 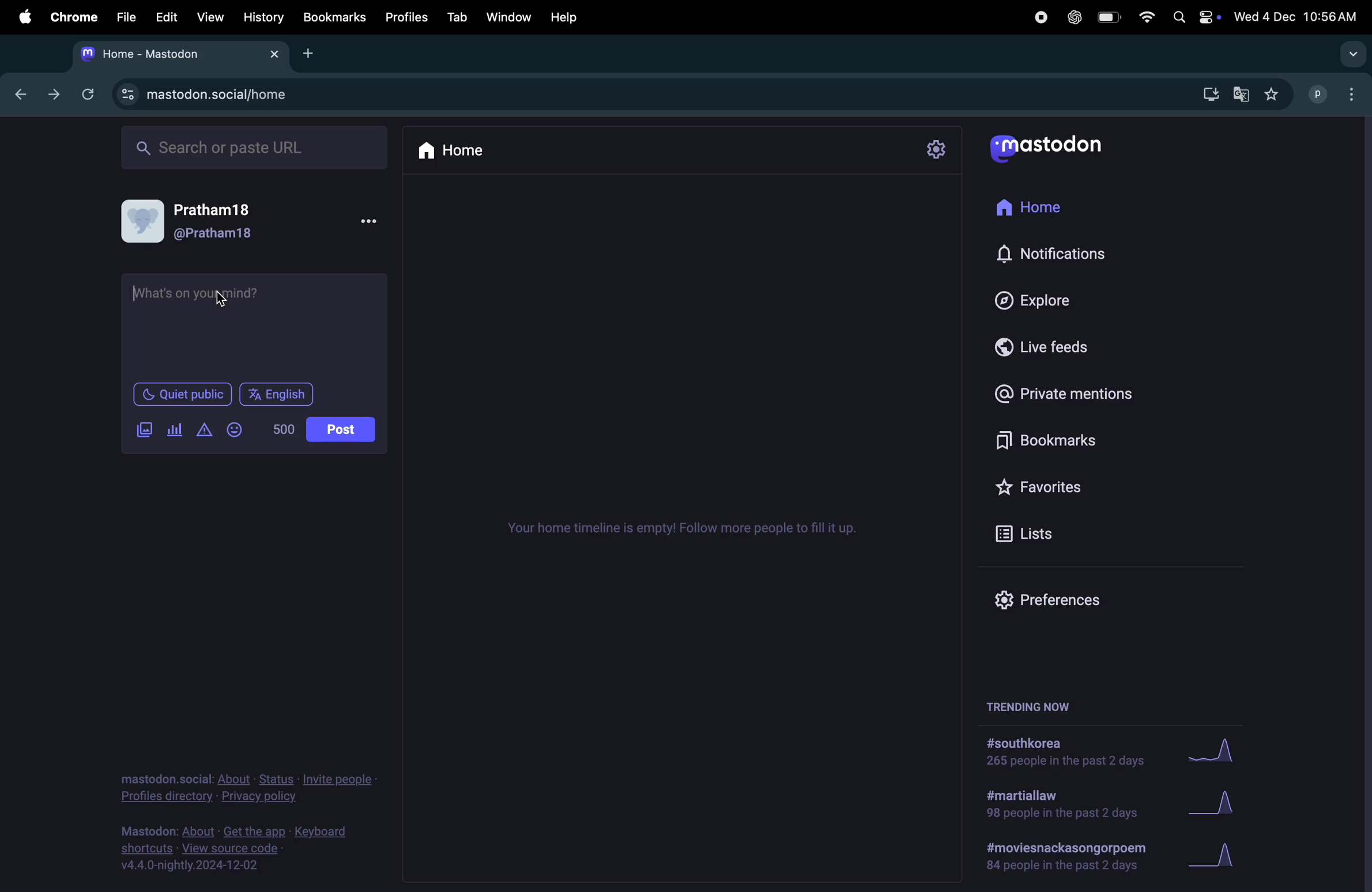 I want to click on Search bar, so click(x=254, y=146).